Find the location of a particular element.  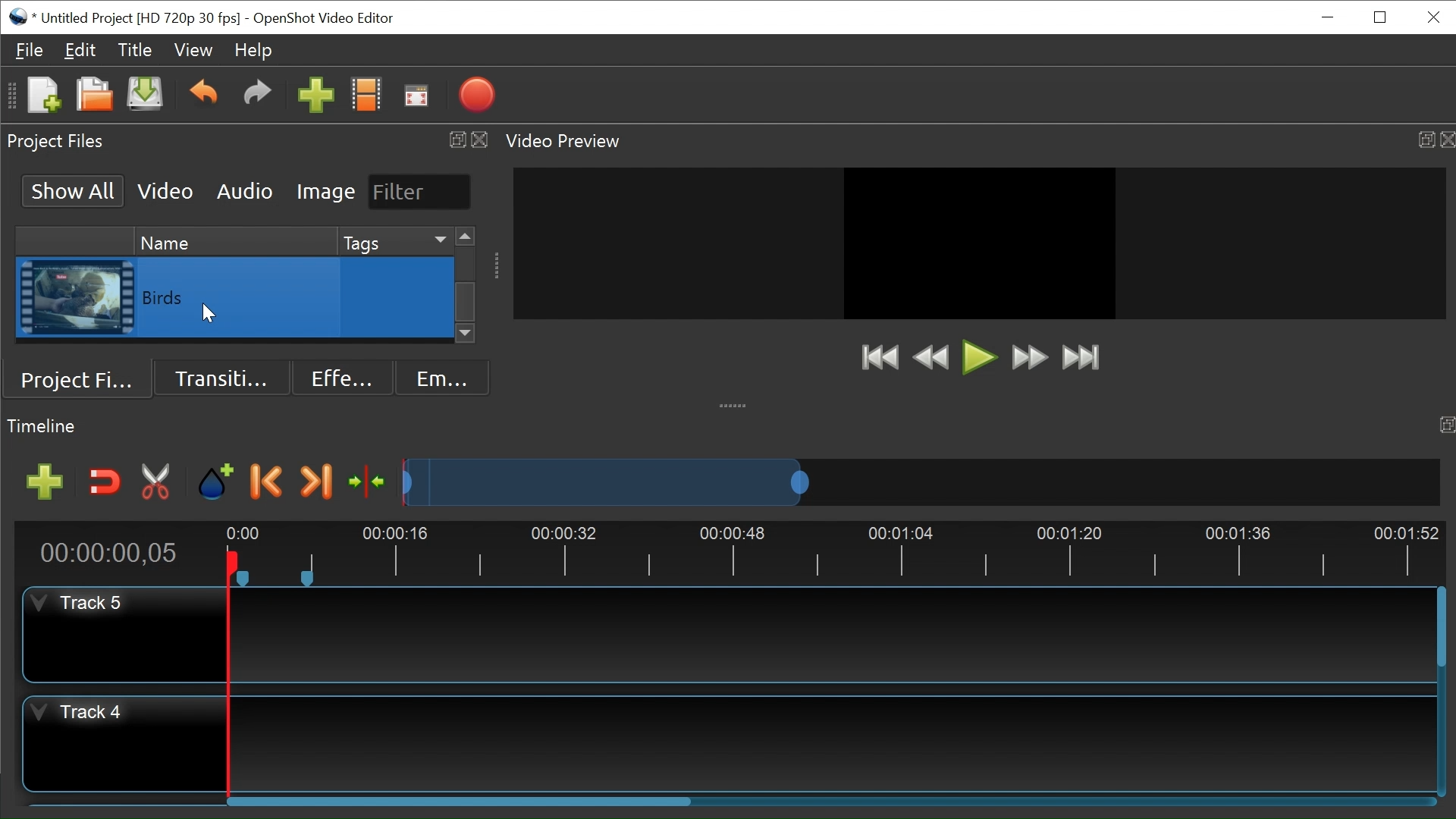

Fullscreen is located at coordinates (416, 96).